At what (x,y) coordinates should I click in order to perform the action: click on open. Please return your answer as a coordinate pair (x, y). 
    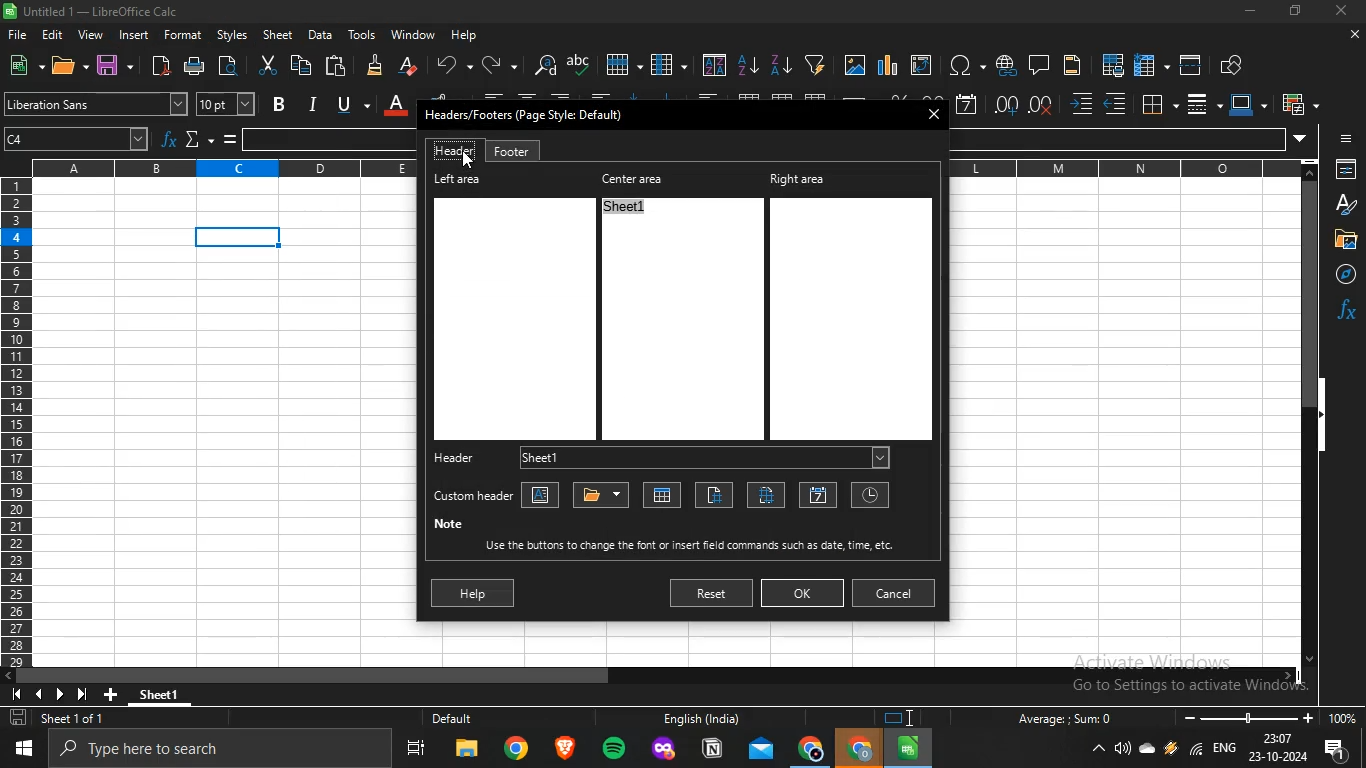
    Looking at the image, I should click on (65, 67).